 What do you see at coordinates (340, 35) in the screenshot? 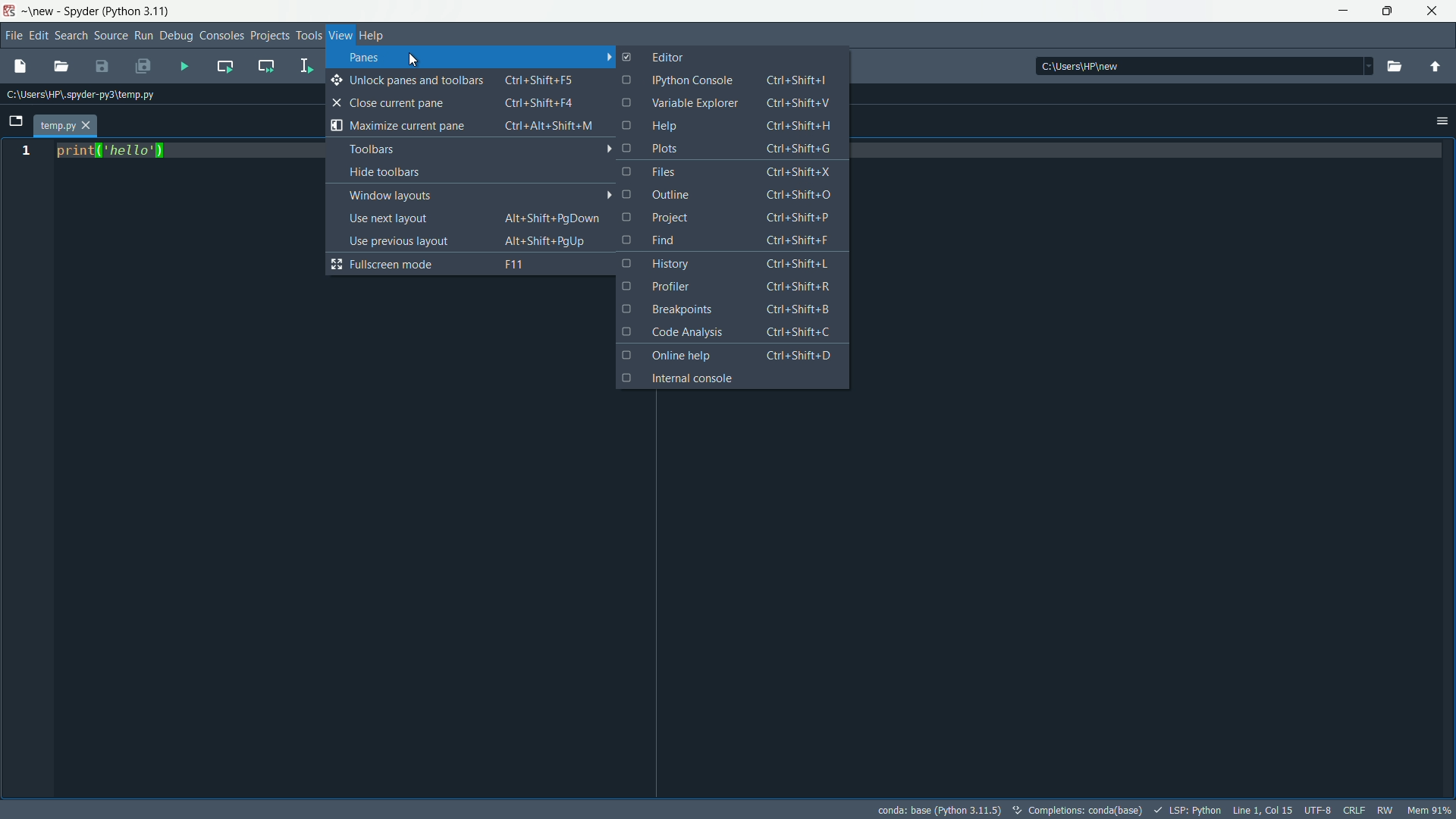
I see `view menu` at bounding box center [340, 35].